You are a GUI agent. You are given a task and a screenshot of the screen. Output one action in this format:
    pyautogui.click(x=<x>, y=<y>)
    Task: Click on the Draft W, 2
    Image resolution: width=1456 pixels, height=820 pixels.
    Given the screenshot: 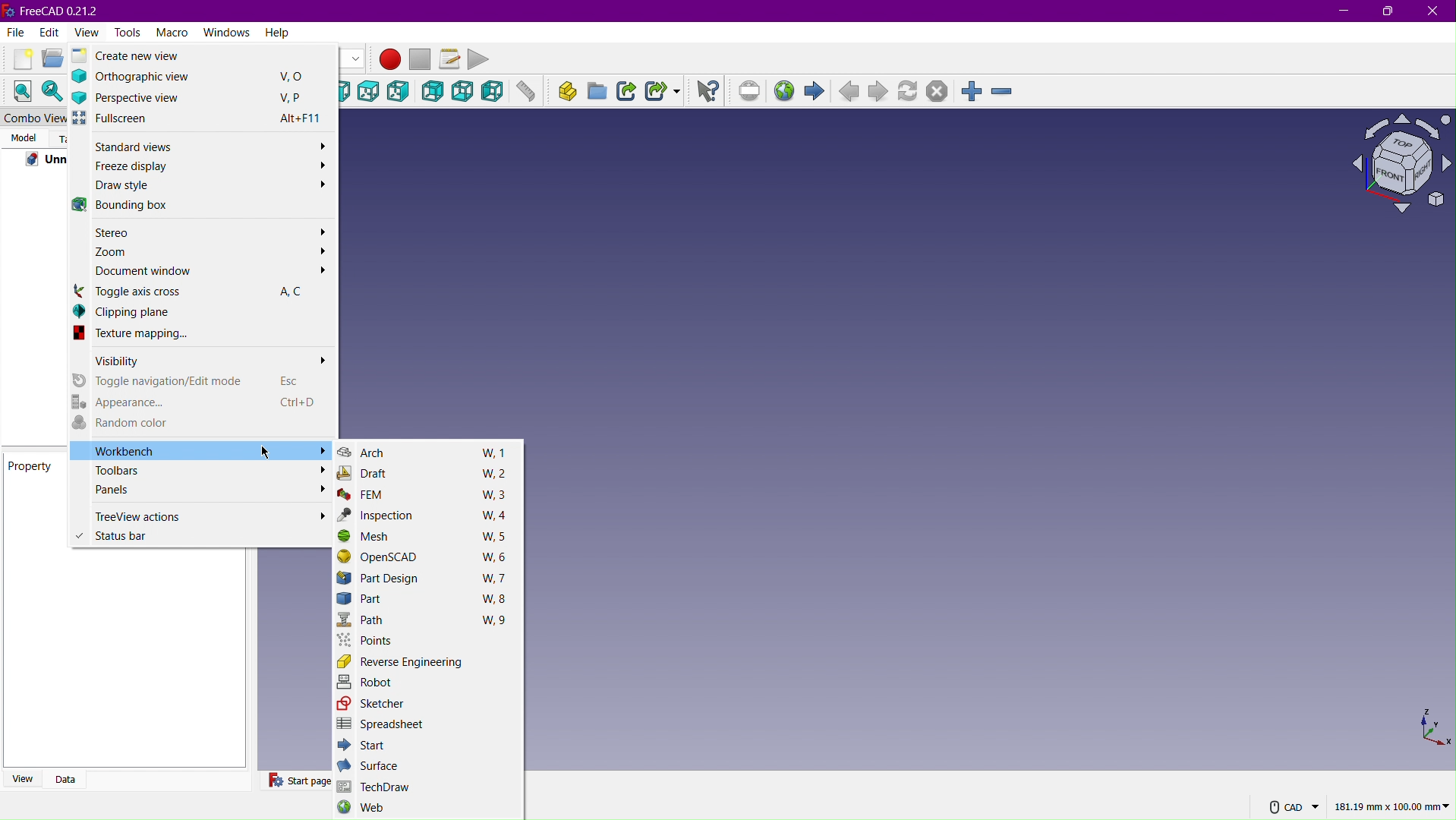 What is the action you would take?
    pyautogui.click(x=430, y=474)
    